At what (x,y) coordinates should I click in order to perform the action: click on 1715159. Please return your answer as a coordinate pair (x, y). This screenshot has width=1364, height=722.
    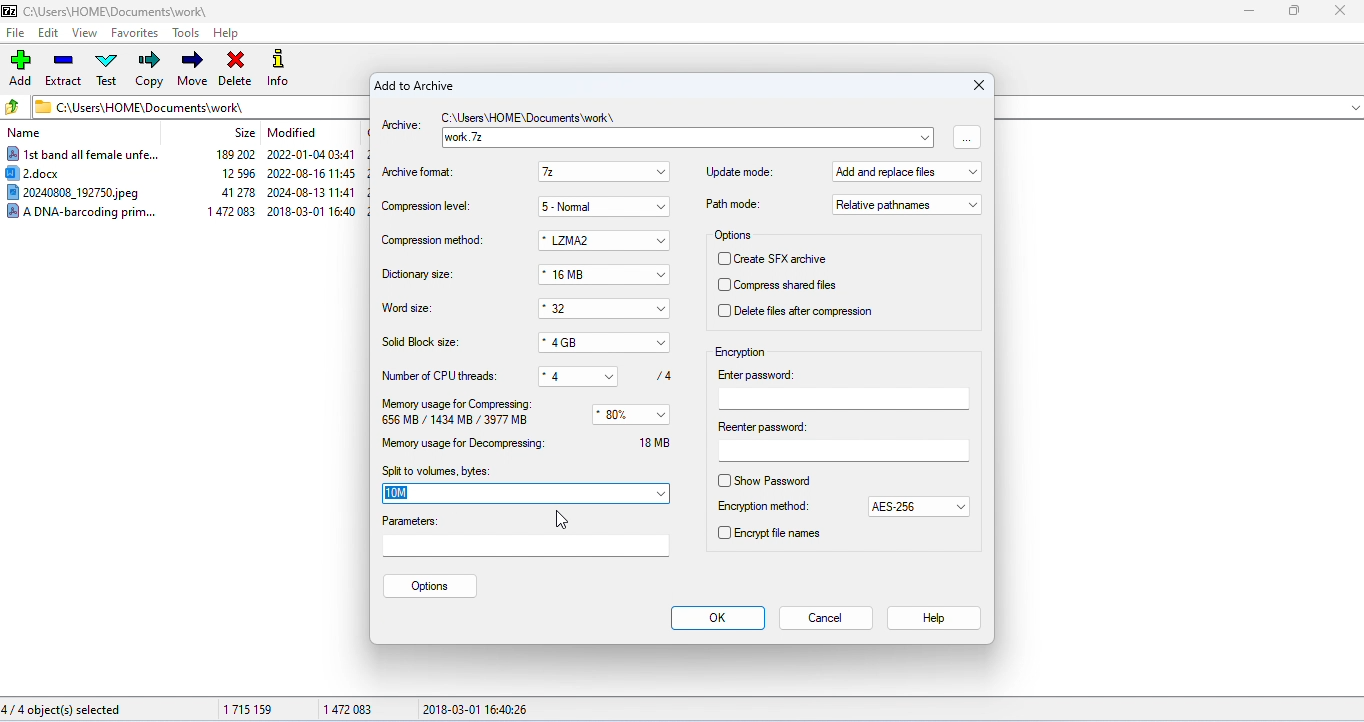
    Looking at the image, I should click on (249, 709).